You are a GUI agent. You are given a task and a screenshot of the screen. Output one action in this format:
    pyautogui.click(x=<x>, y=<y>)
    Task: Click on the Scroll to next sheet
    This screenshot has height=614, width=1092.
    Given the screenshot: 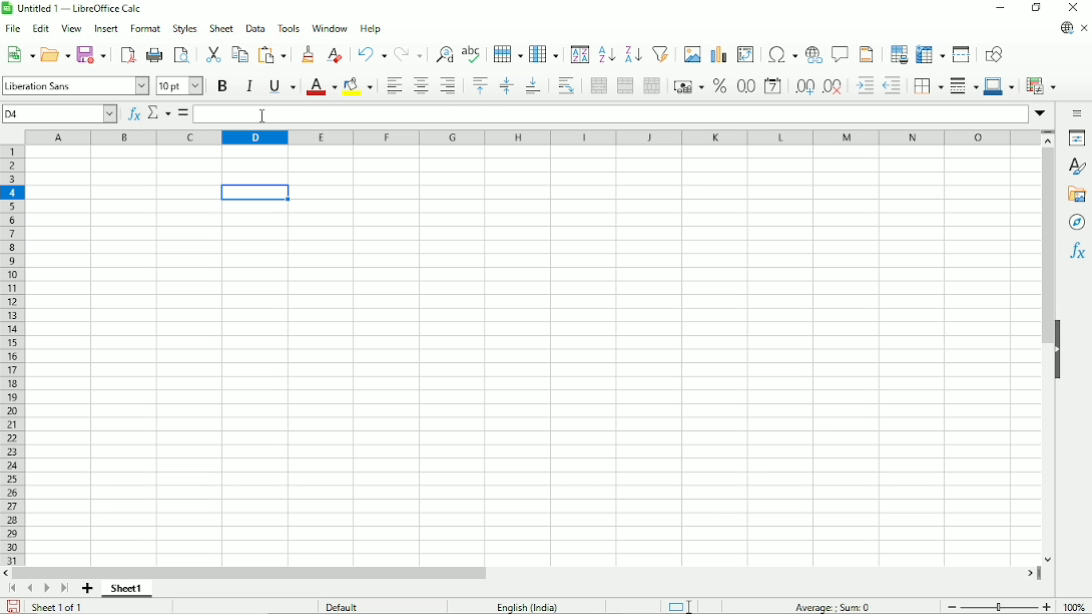 What is the action you would take?
    pyautogui.click(x=46, y=589)
    